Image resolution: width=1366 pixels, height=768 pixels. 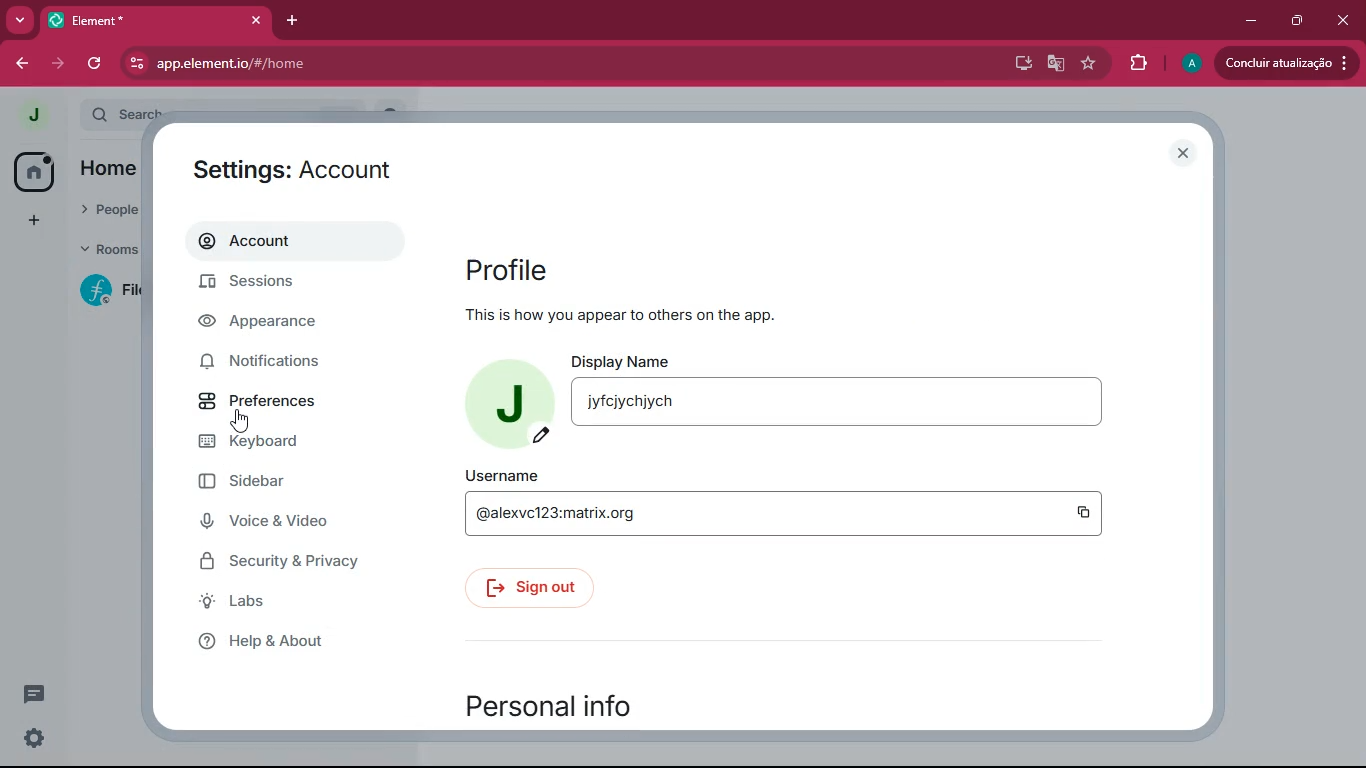 I want to click on threads, so click(x=36, y=693).